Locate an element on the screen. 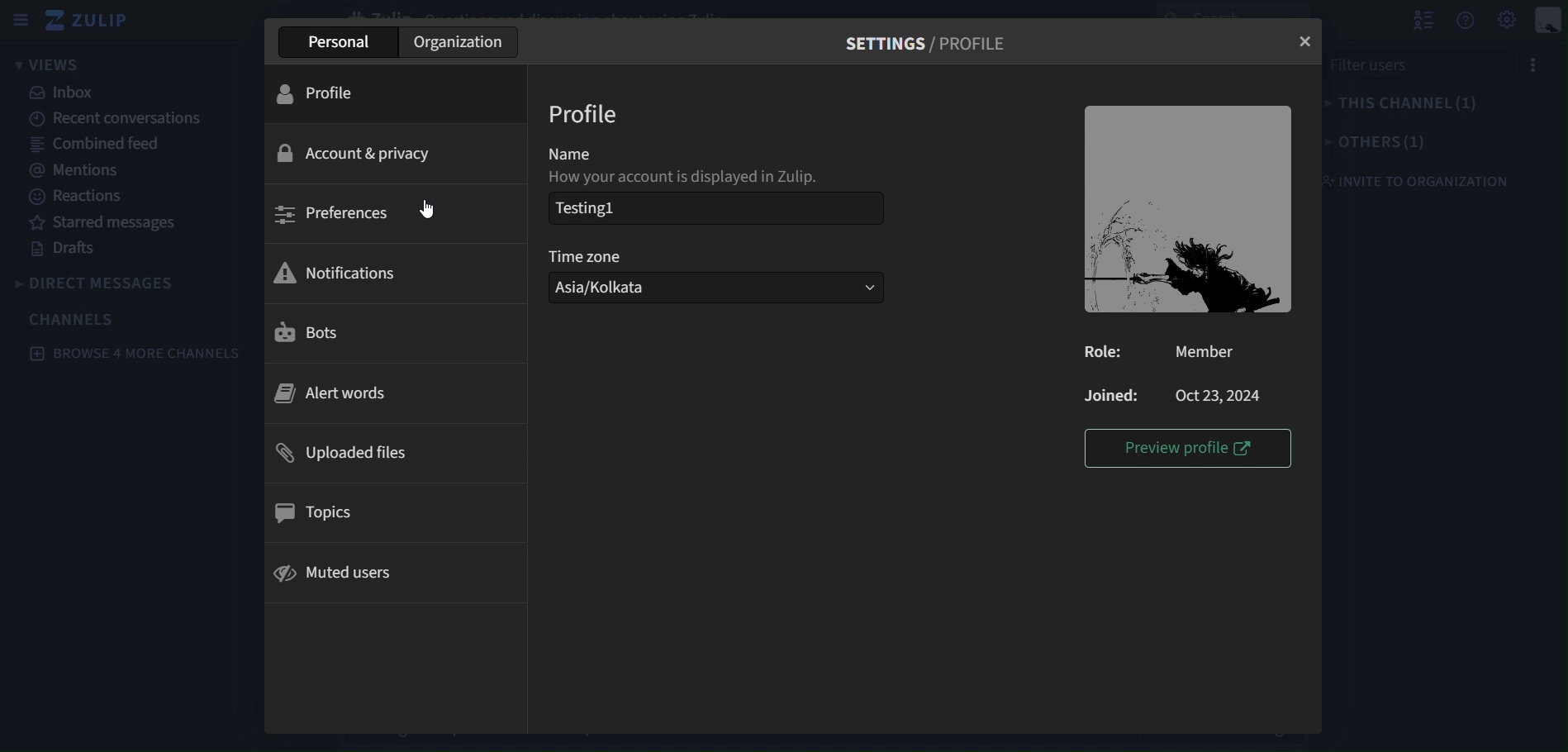 The width and height of the screenshot is (1568, 752). invite to organization is located at coordinates (1428, 180).